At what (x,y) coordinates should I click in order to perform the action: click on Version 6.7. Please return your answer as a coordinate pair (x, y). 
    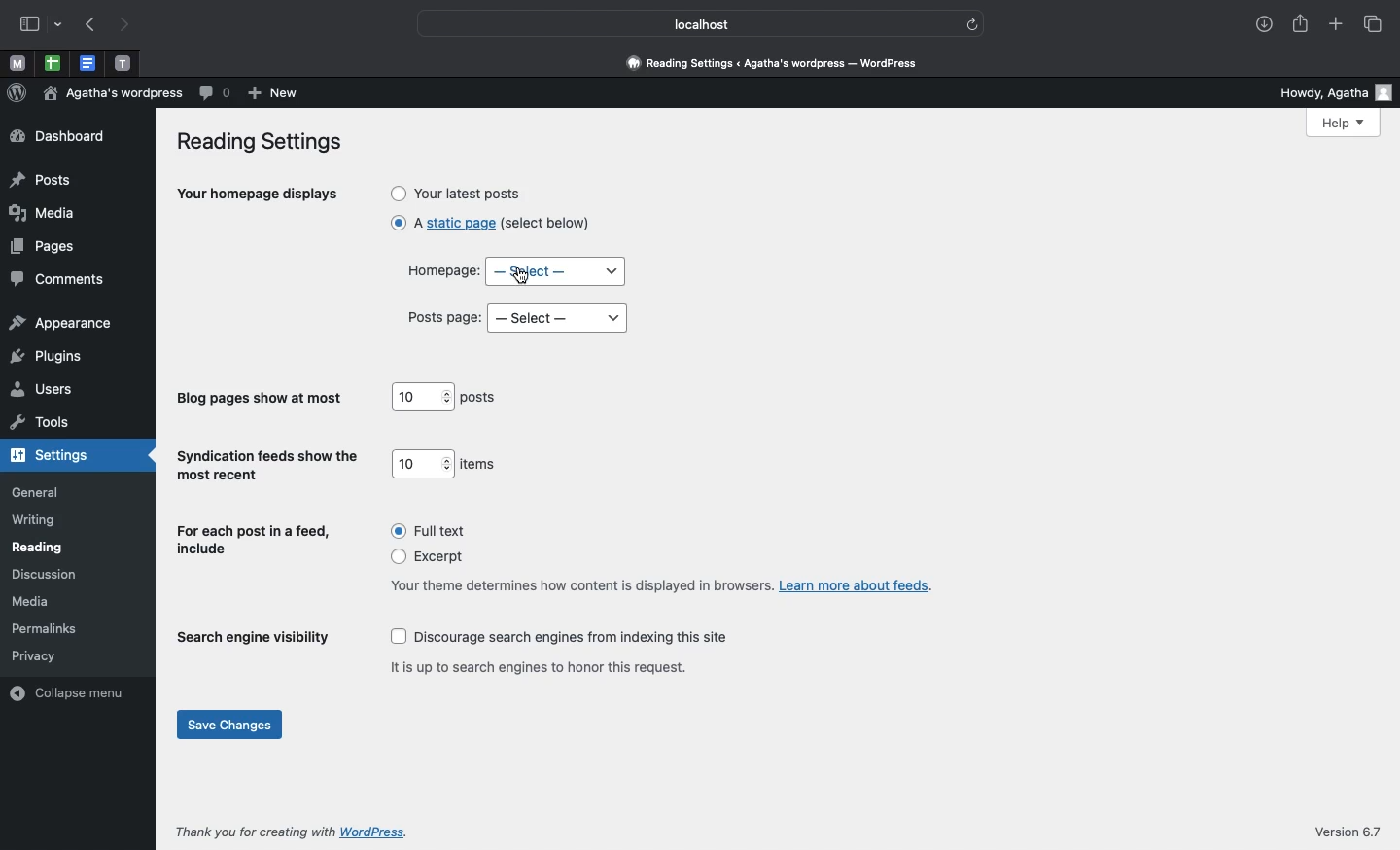
    Looking at the image, I should click on (1351, 832).